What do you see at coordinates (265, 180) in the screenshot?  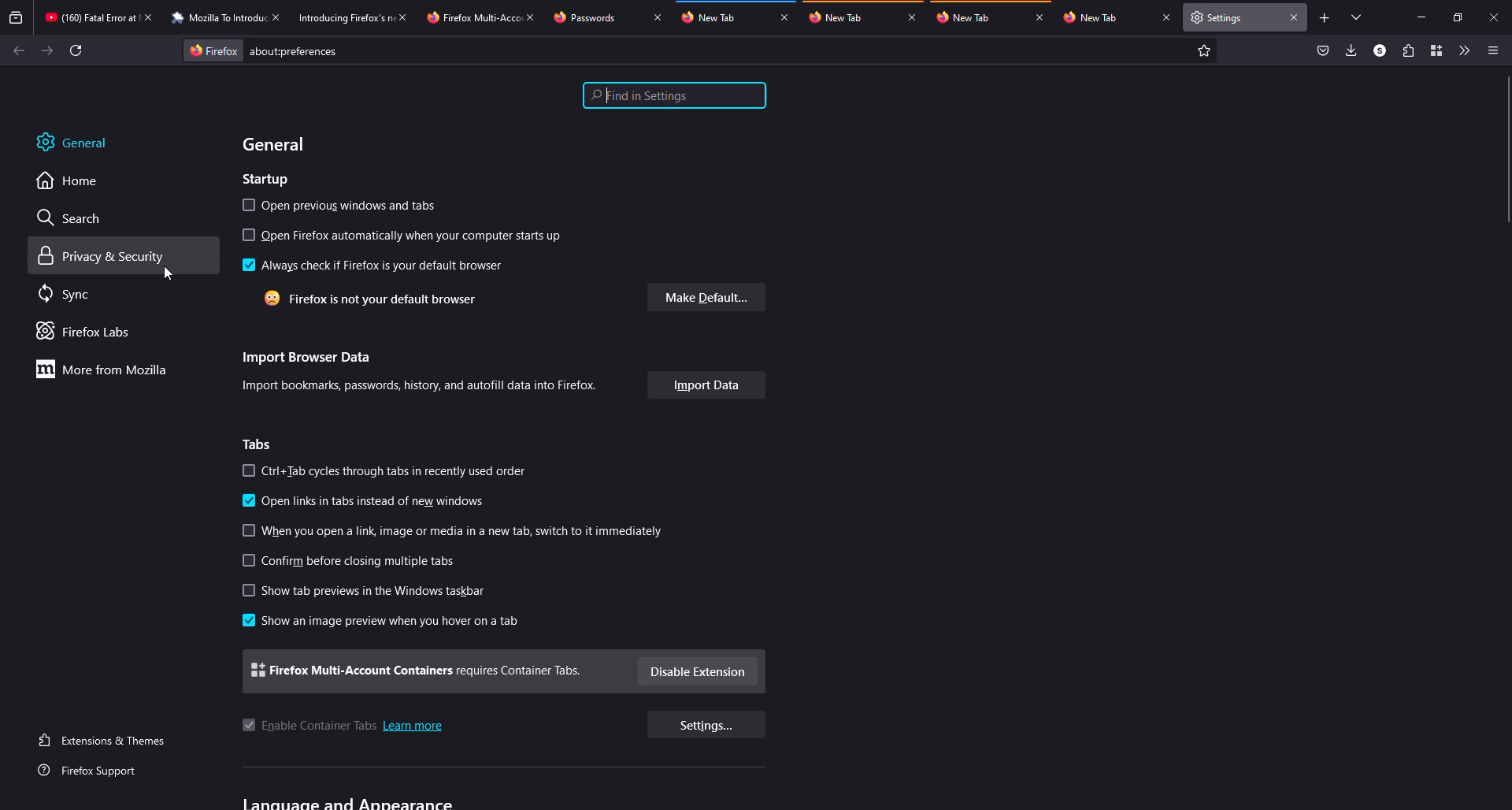 I see `startup` at bounding box center [265, 180].